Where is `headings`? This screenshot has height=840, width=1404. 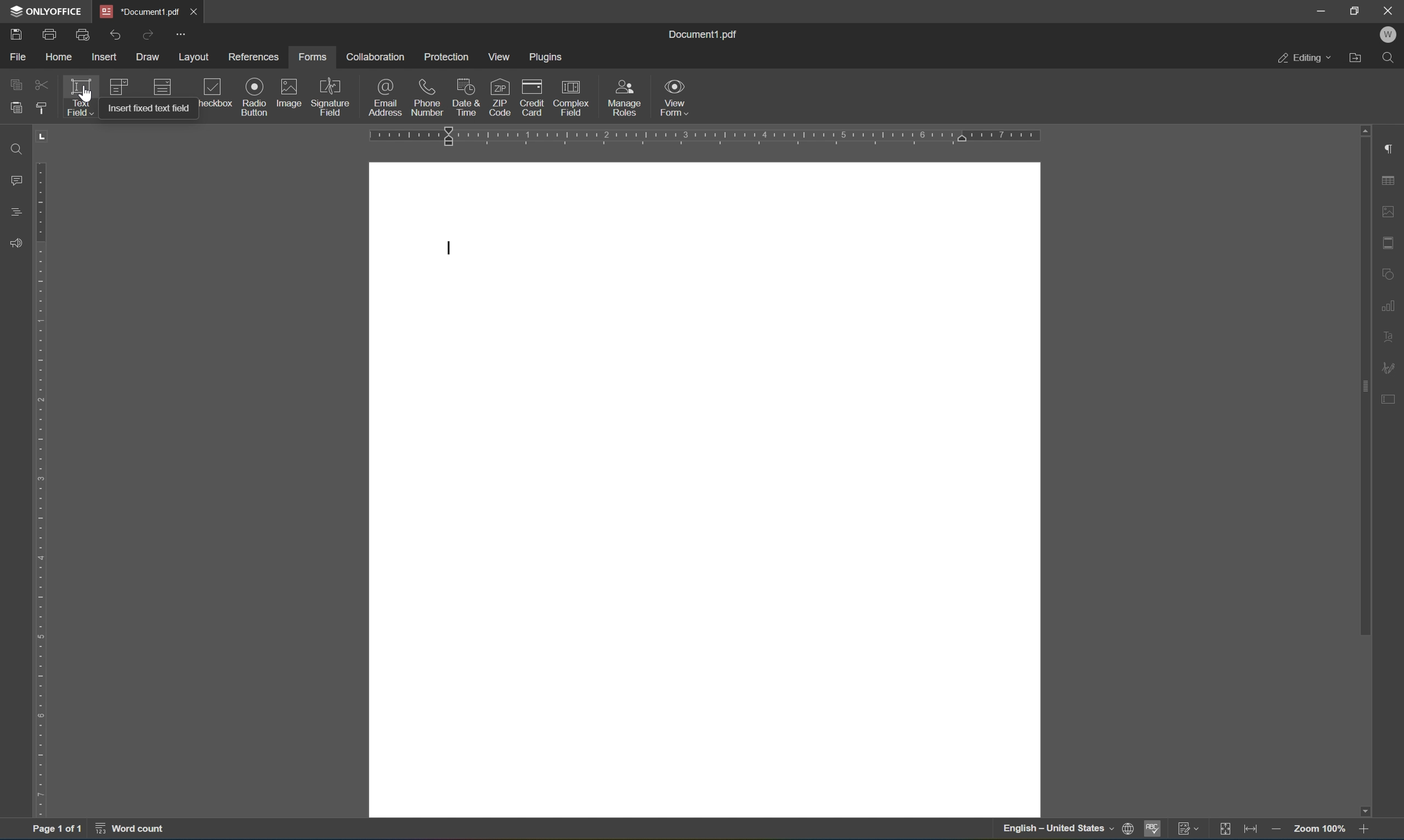
headings is located at coordinates (18, 211).